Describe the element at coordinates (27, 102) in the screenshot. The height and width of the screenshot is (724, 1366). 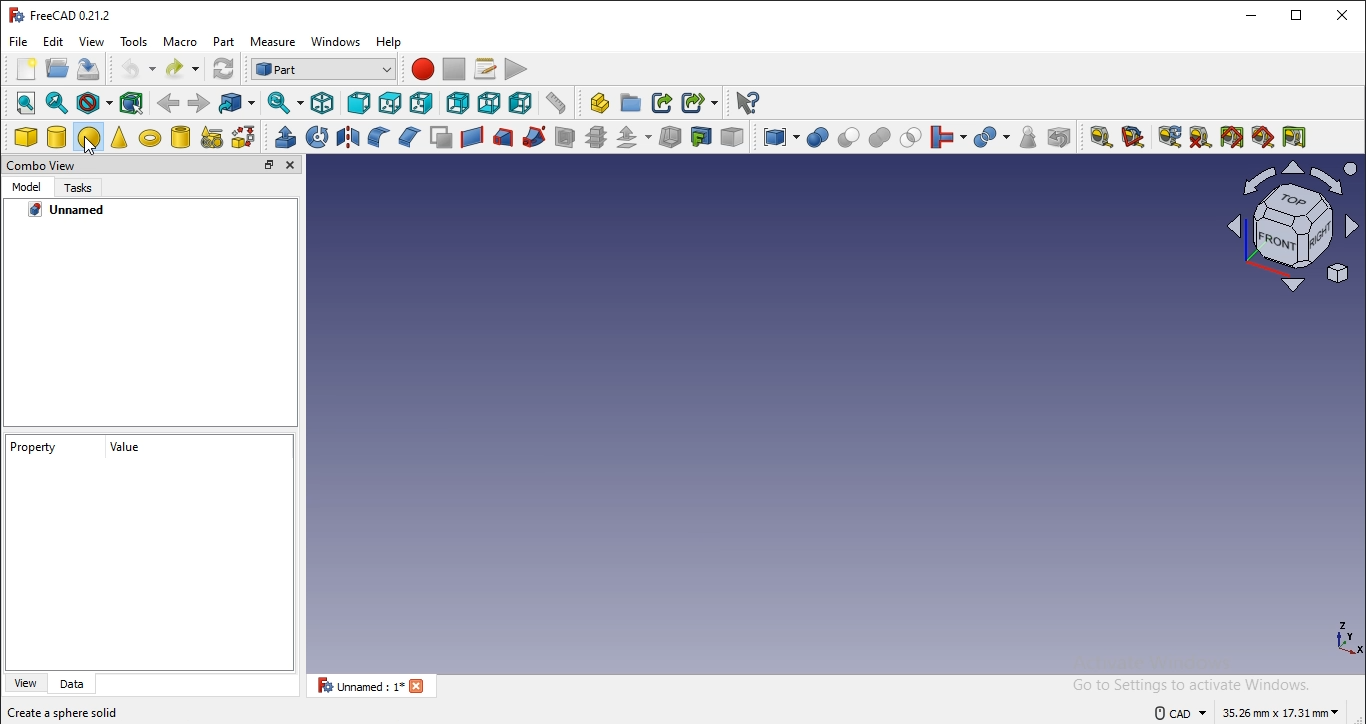
I see `fit all` at that location.